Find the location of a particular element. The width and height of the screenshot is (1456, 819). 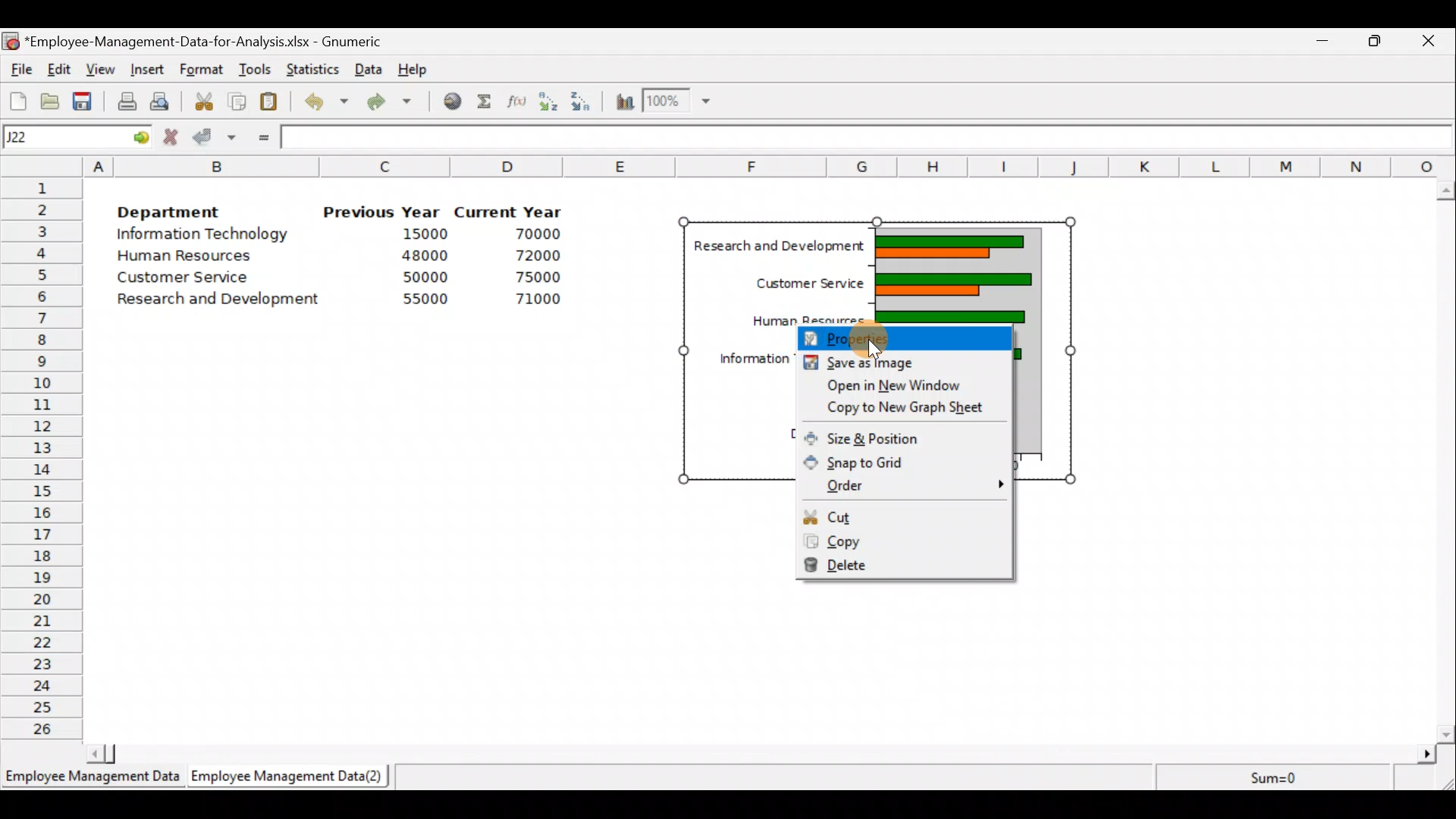

70000 is located at coordinates (538, 233).